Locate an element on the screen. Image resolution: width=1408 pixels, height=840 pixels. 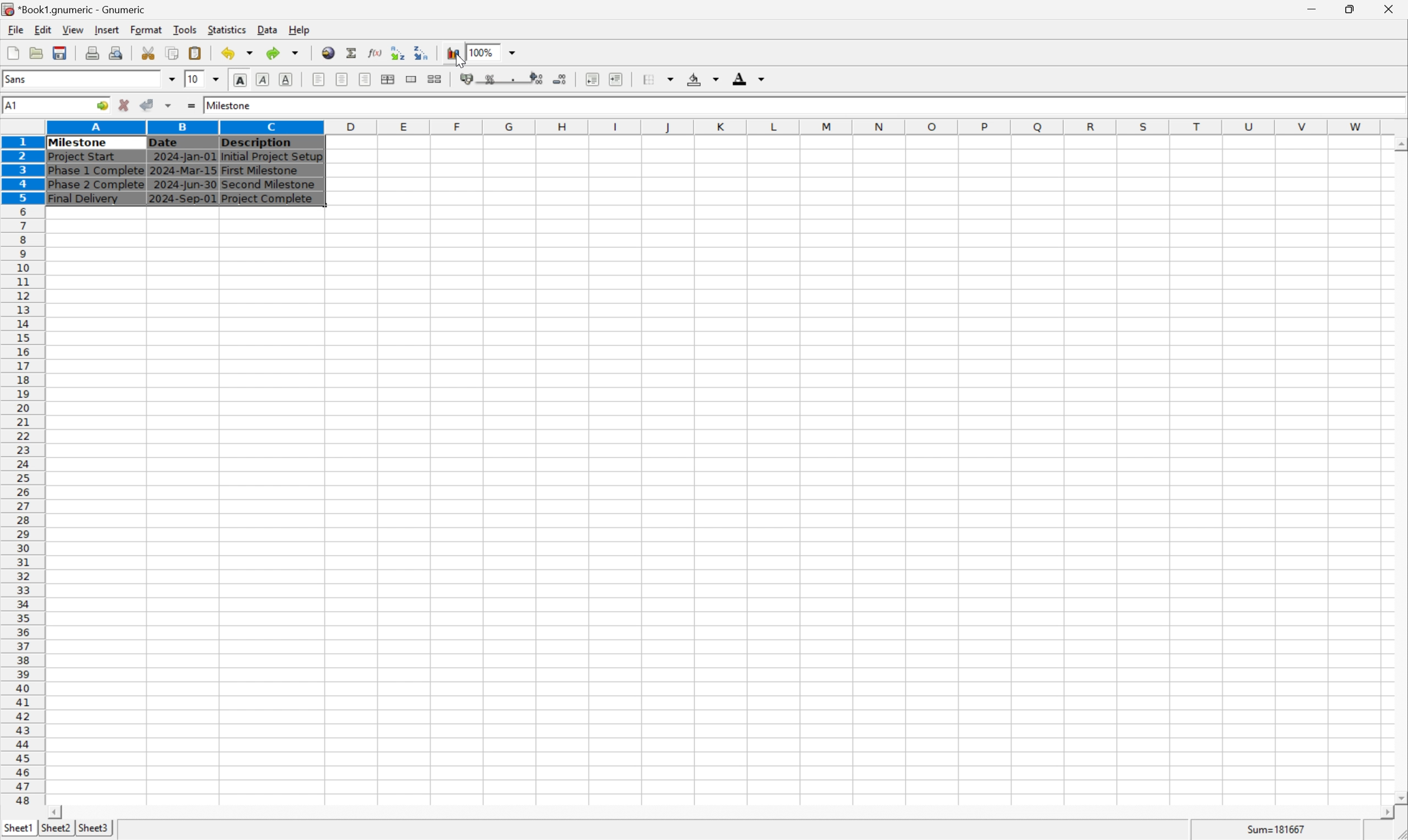
font color is located at coordinates (749, 78).